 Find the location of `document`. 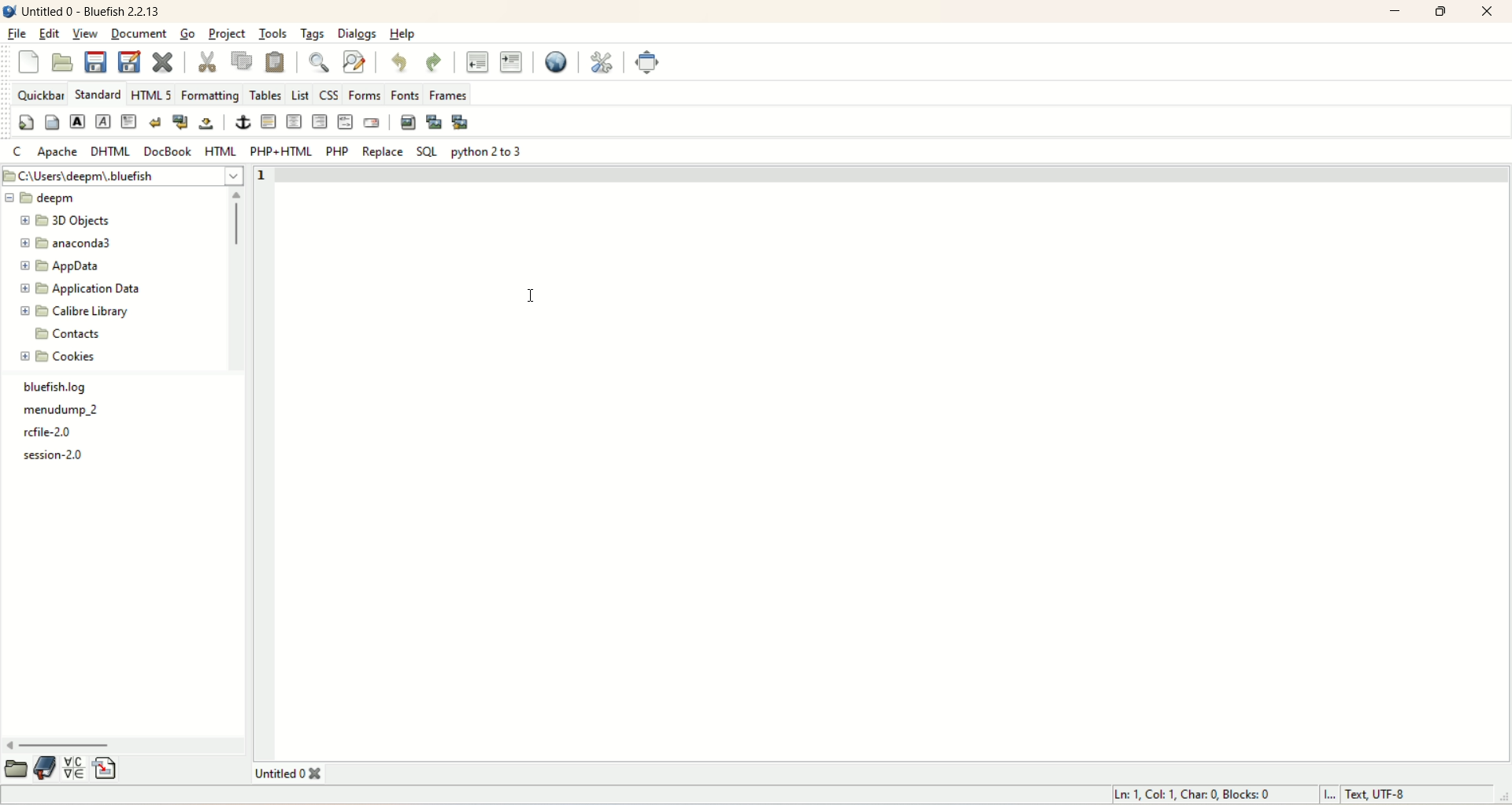

document is located at coordinates (140, 35).